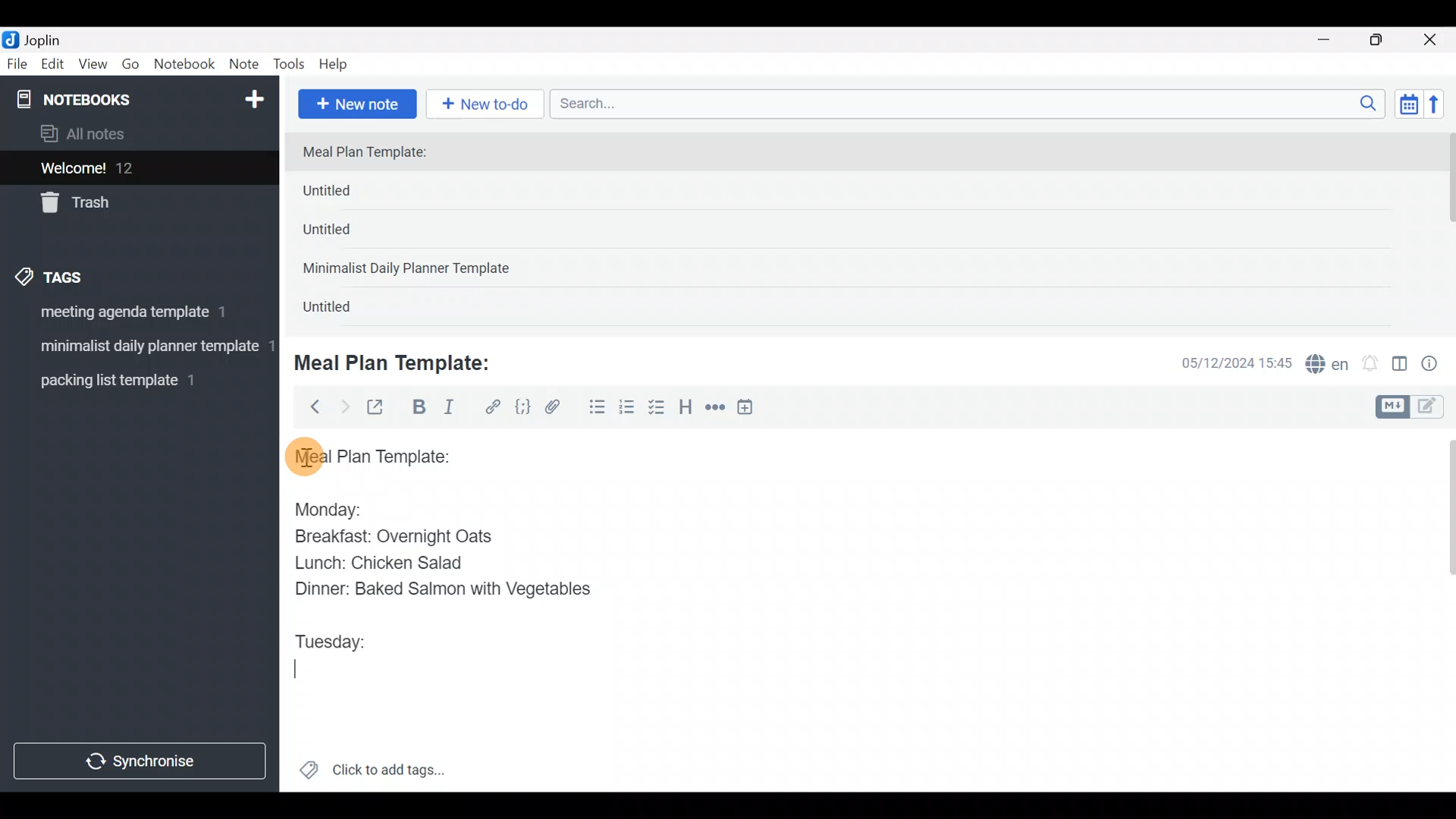 This screenshot has height=819, width=1456. Describe the element at coordinates (303, 456) in the screenshot. I see `cursor` at that location.